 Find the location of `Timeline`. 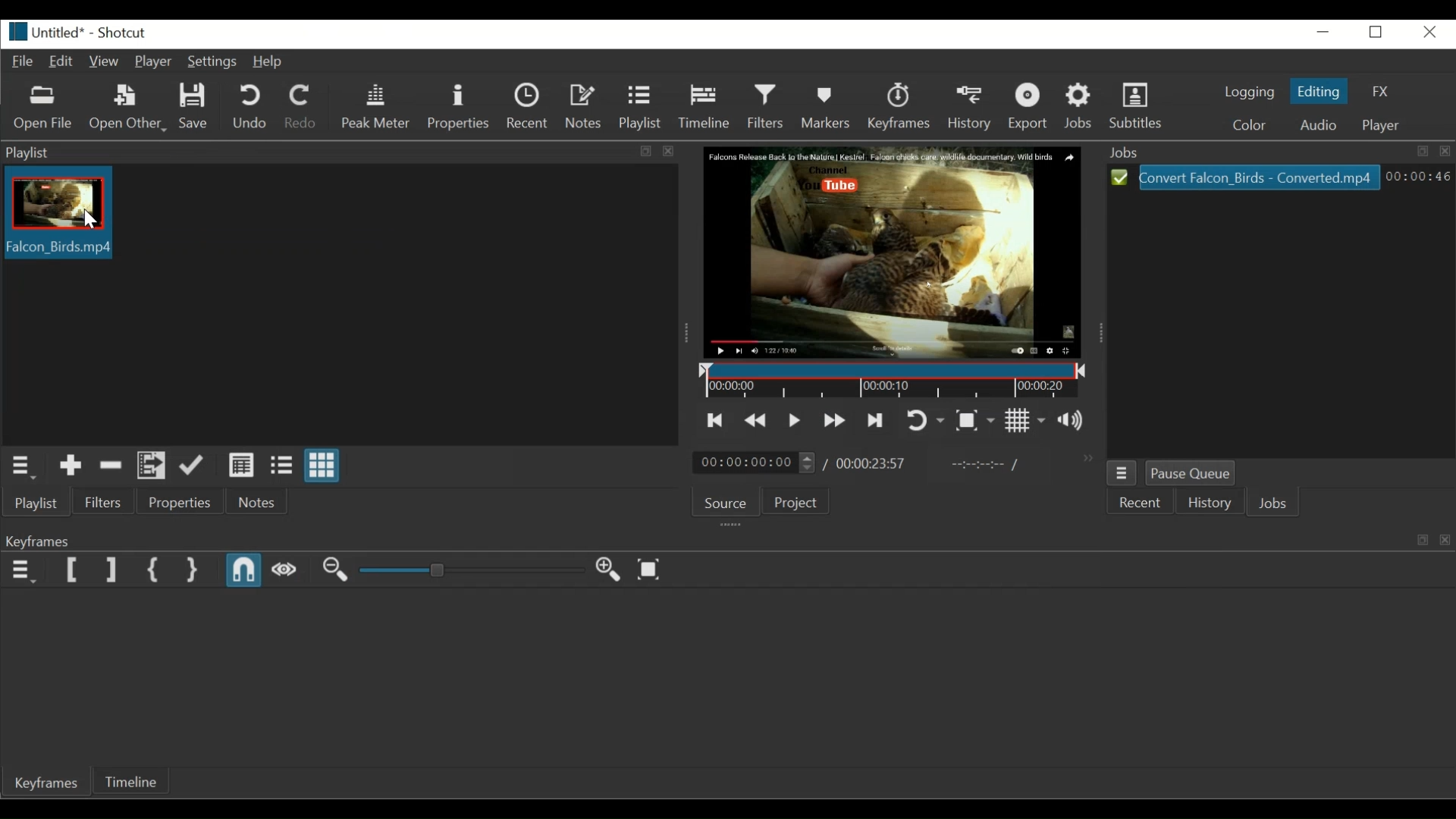

Timeline is located at coordinates (888, 381).